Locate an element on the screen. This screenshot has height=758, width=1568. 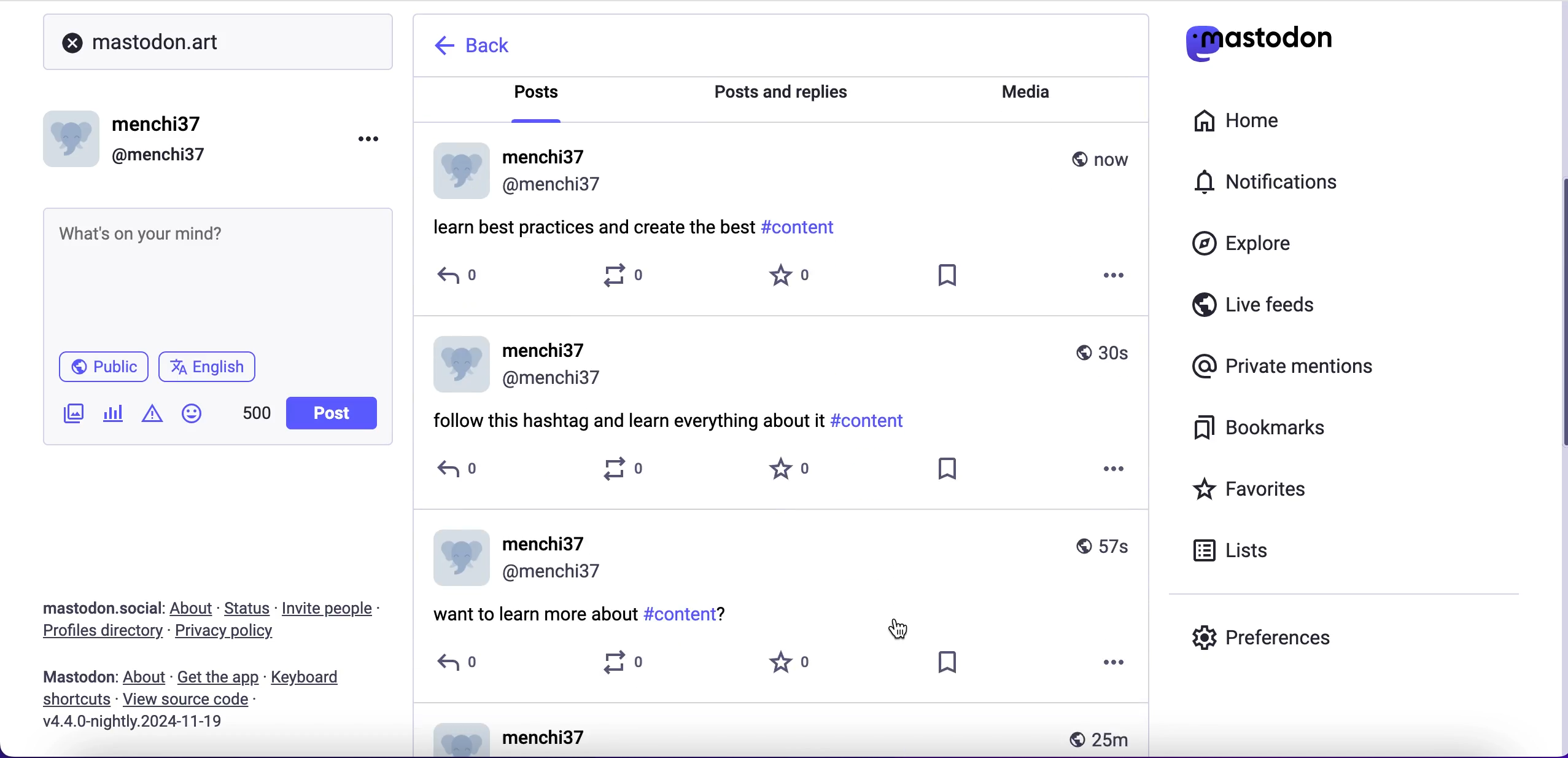
about is located at coordinates (146, 678).